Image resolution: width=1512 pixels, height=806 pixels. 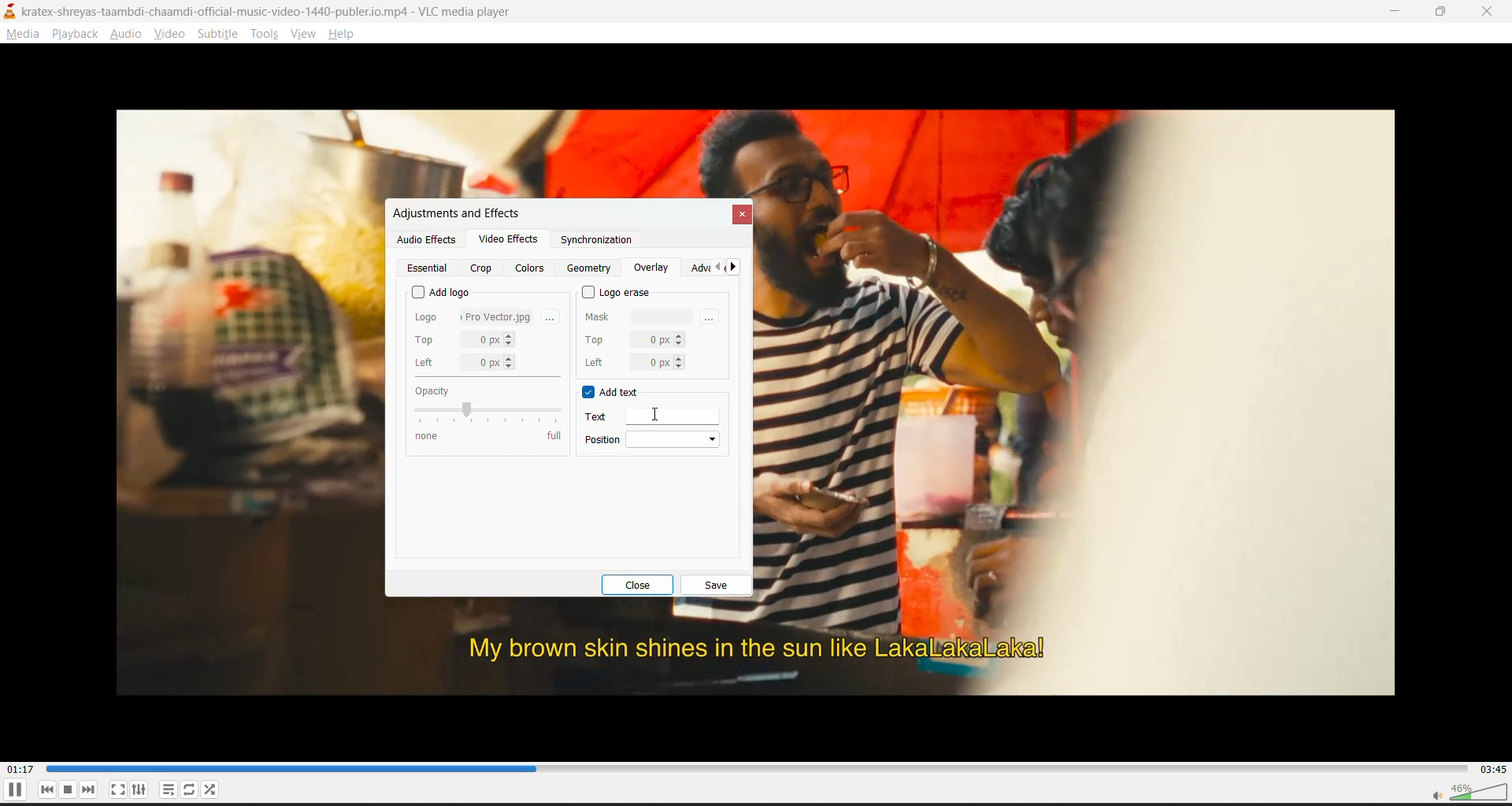 I want to click on essential, so click(x=430, y=268).